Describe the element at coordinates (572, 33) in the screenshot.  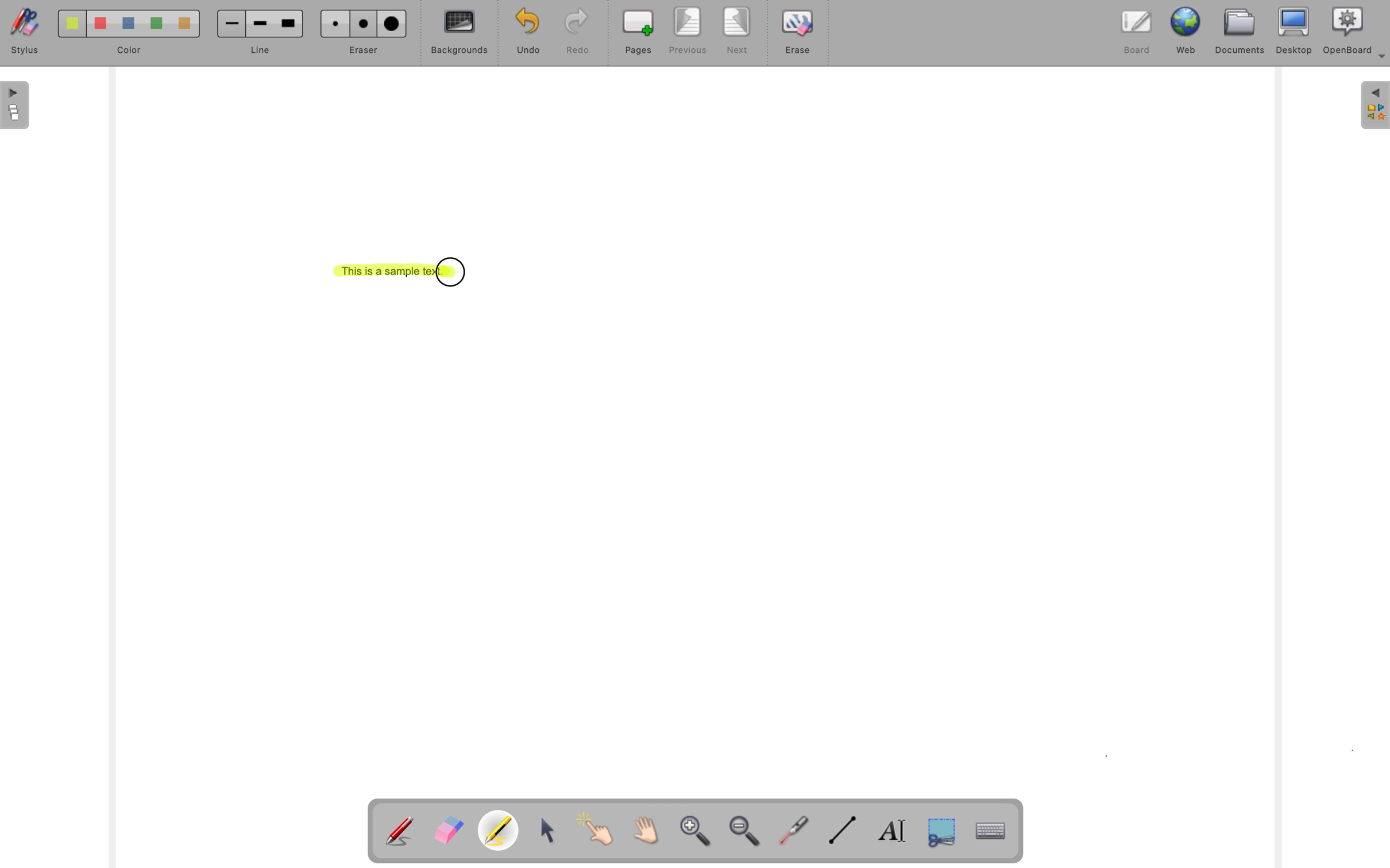
I see `redo` at that location.